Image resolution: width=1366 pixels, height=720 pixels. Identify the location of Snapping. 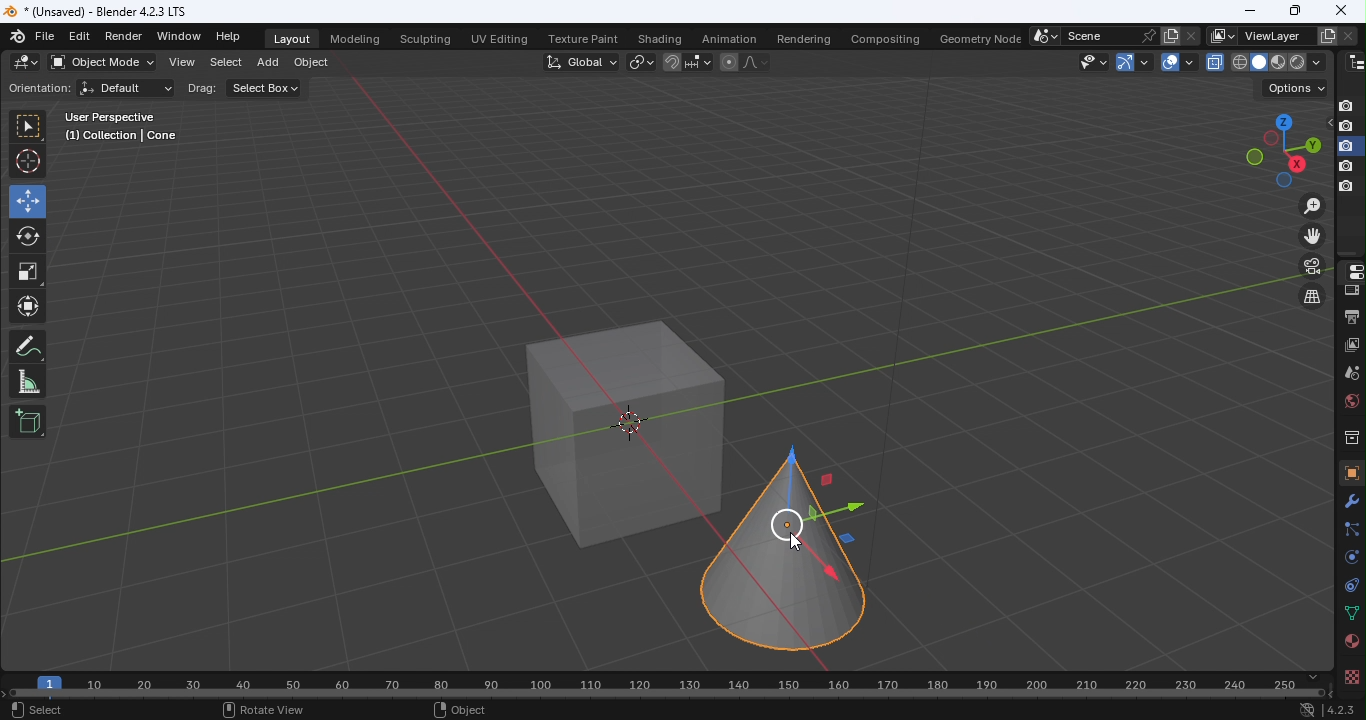
(699, 61).